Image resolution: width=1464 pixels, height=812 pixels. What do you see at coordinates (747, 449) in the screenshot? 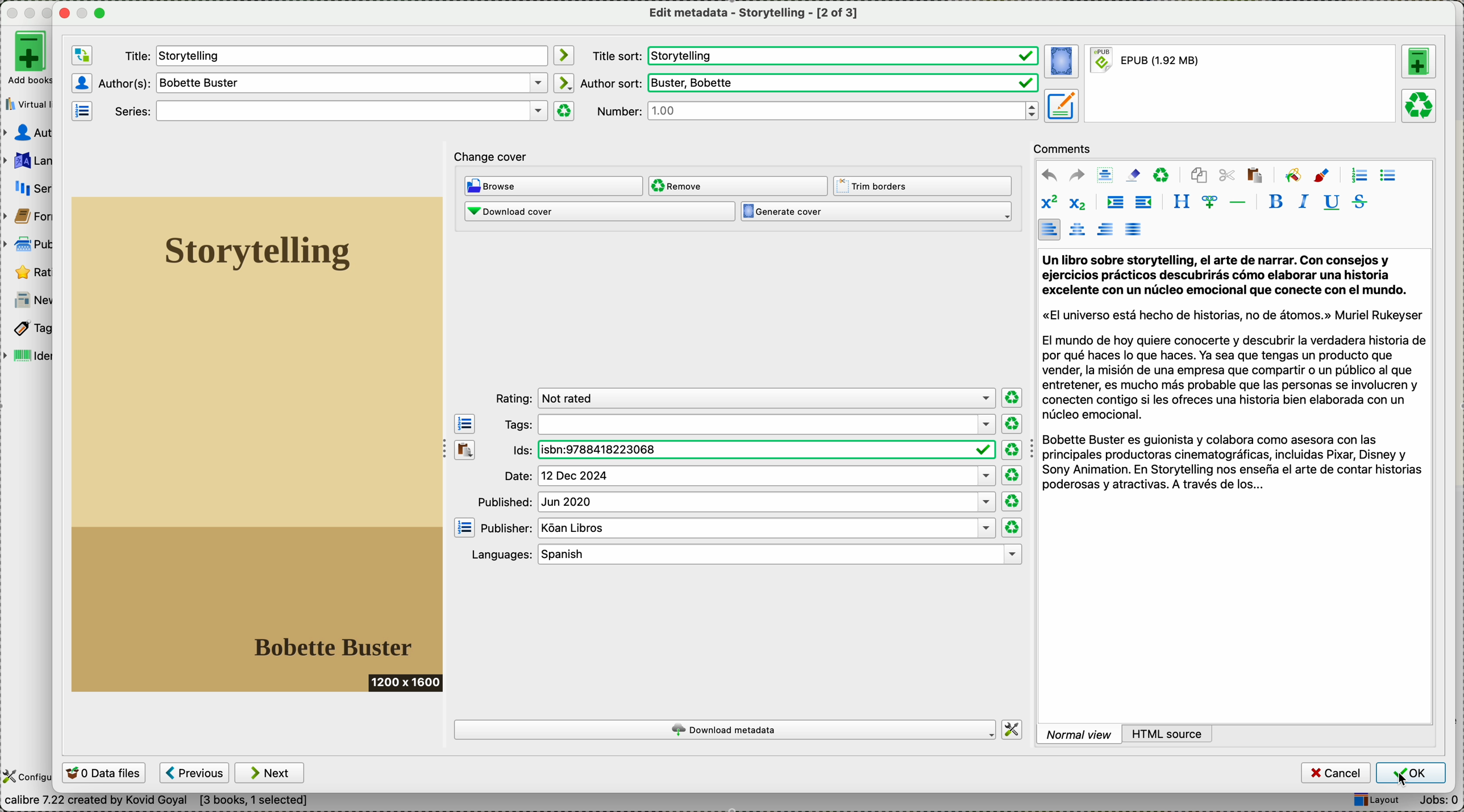
I see `ids` at bounding box center [747, 449].